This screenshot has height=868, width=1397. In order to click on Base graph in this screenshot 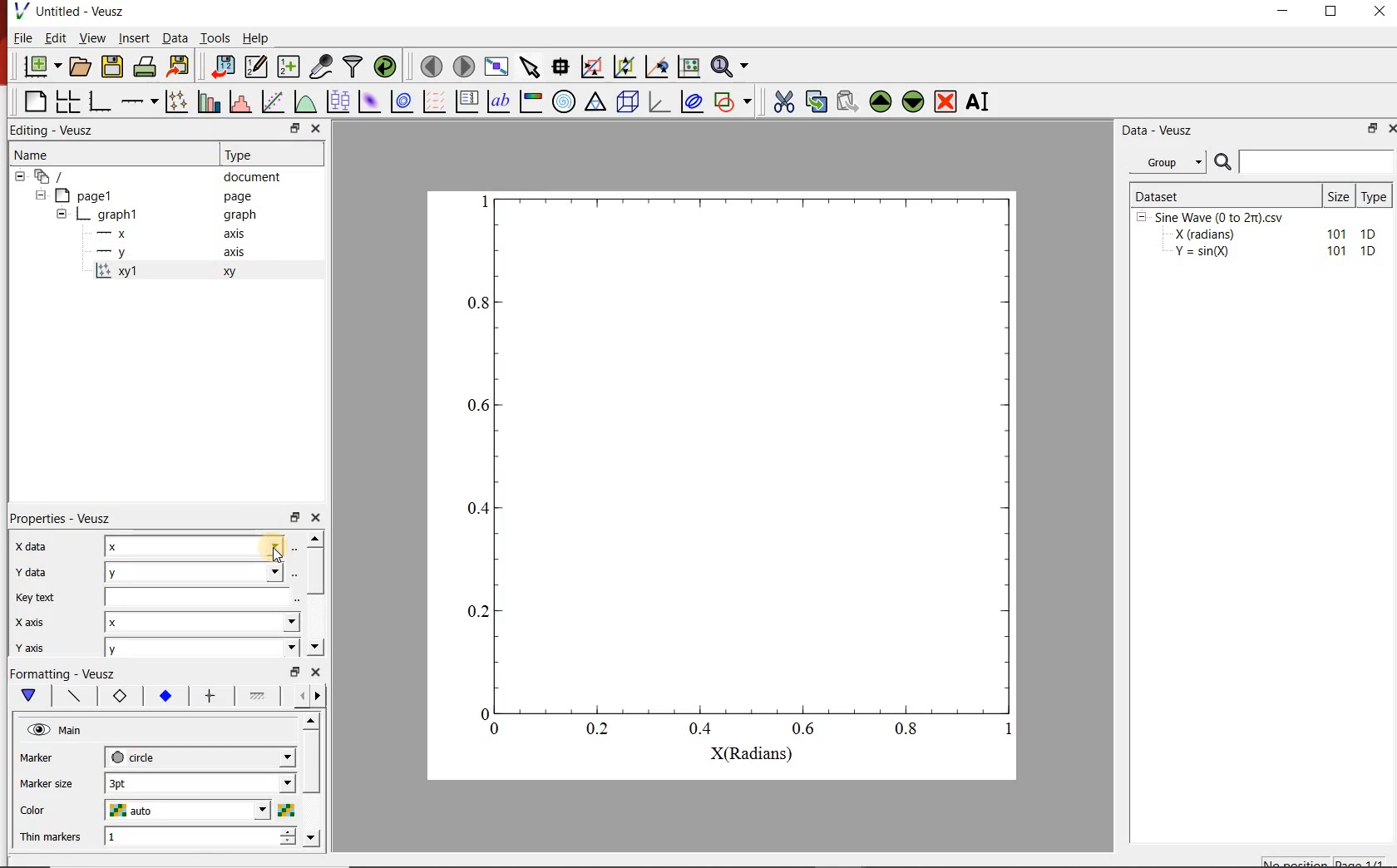, I will do `click(101, 101)`.